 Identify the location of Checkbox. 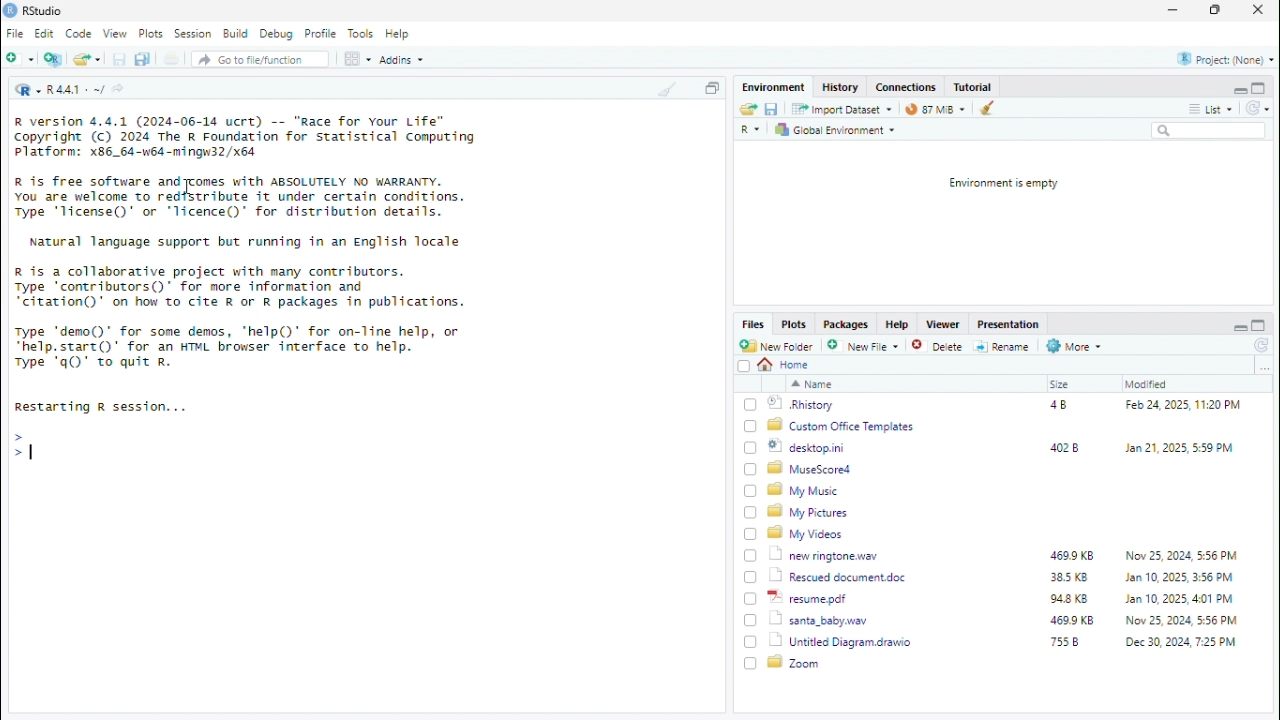
(751, 469).